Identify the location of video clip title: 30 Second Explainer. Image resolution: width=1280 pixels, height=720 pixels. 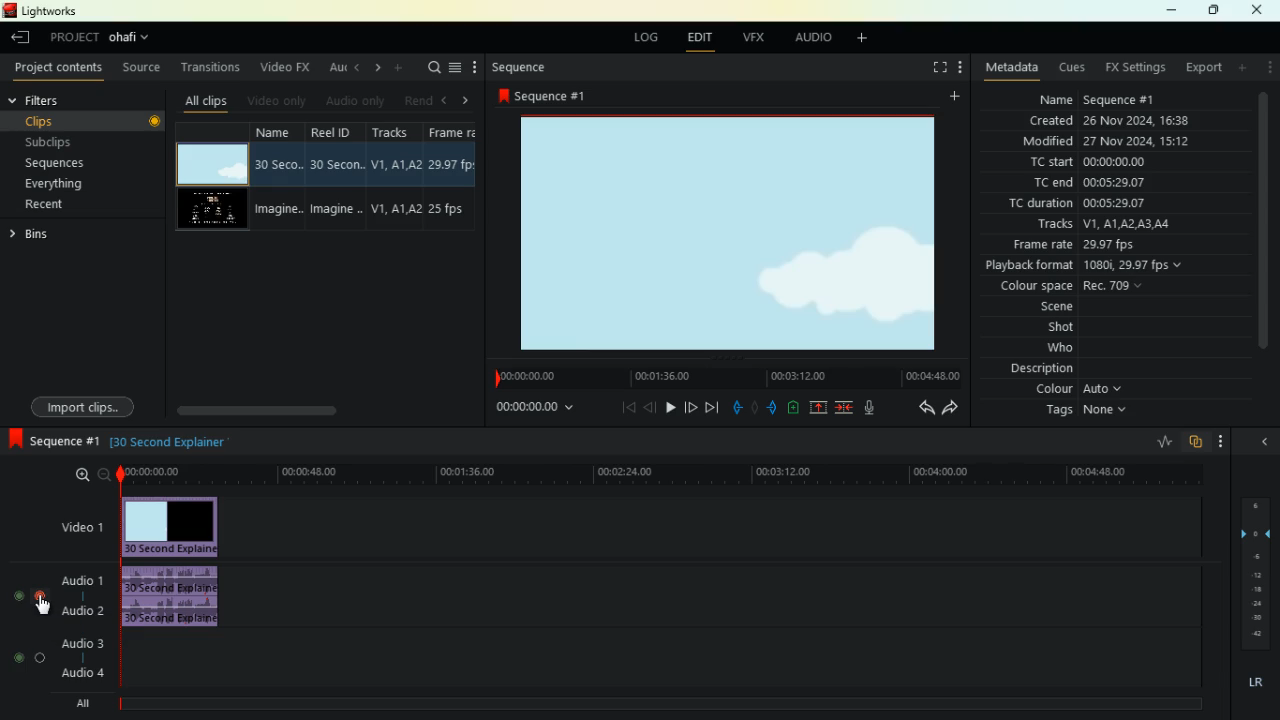
(169, 439).